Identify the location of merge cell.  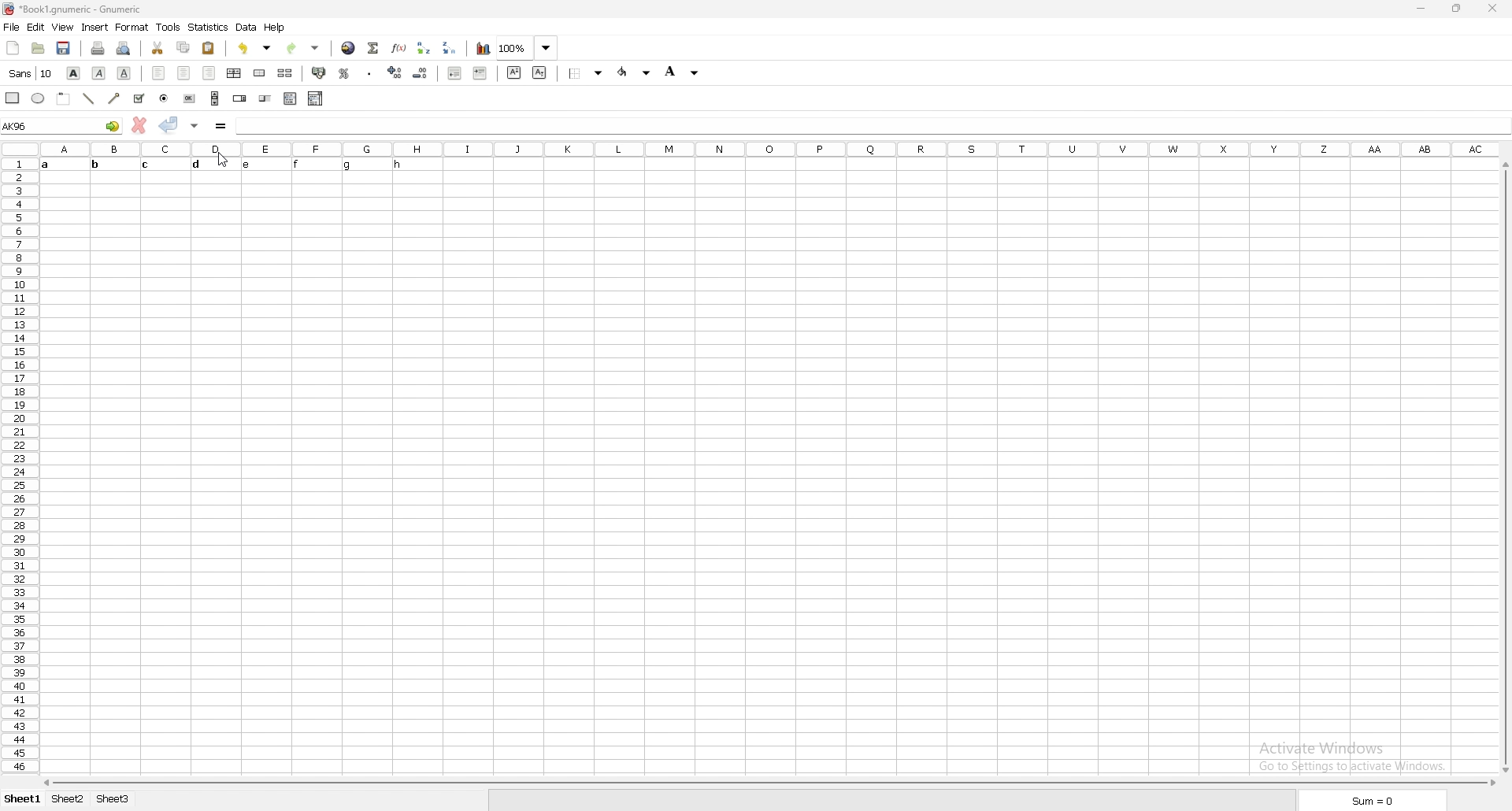
(260, 72).